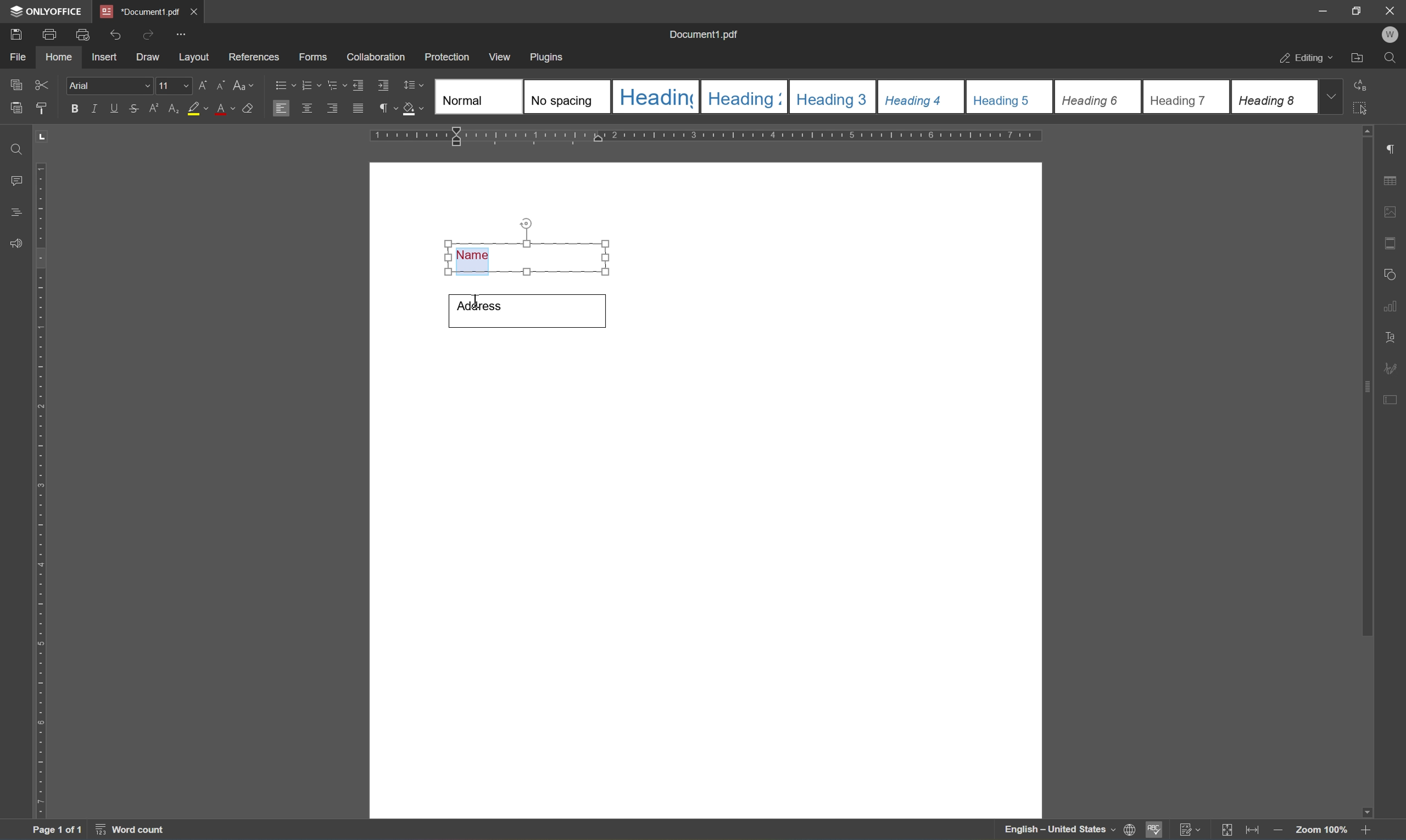 This screenshot has width=1406, height=840. Describe the element at coordinates (133, 108) in the screenshot. I see `strikethrough` at that location.